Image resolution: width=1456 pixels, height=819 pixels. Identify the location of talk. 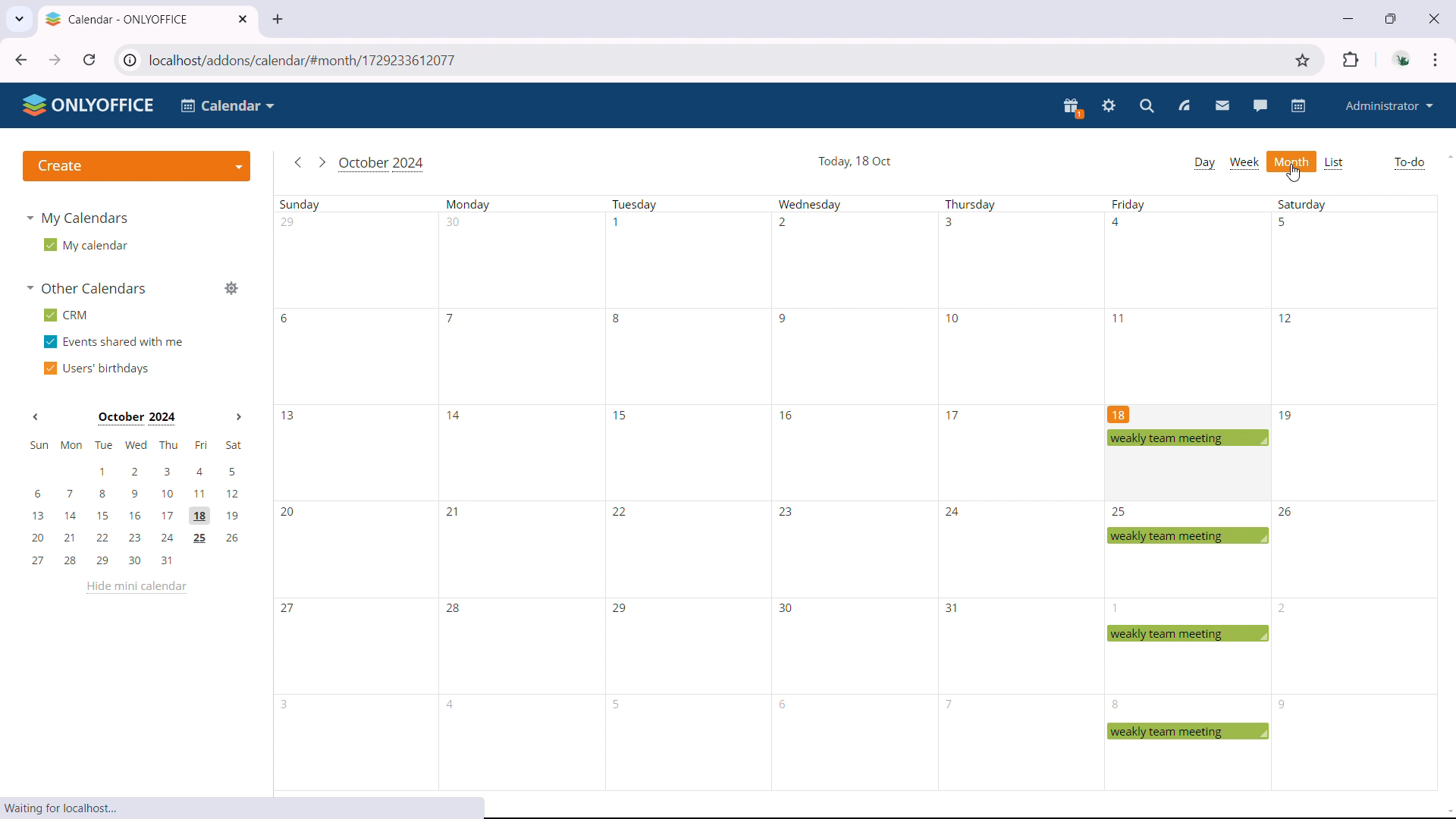
(1259, 105).